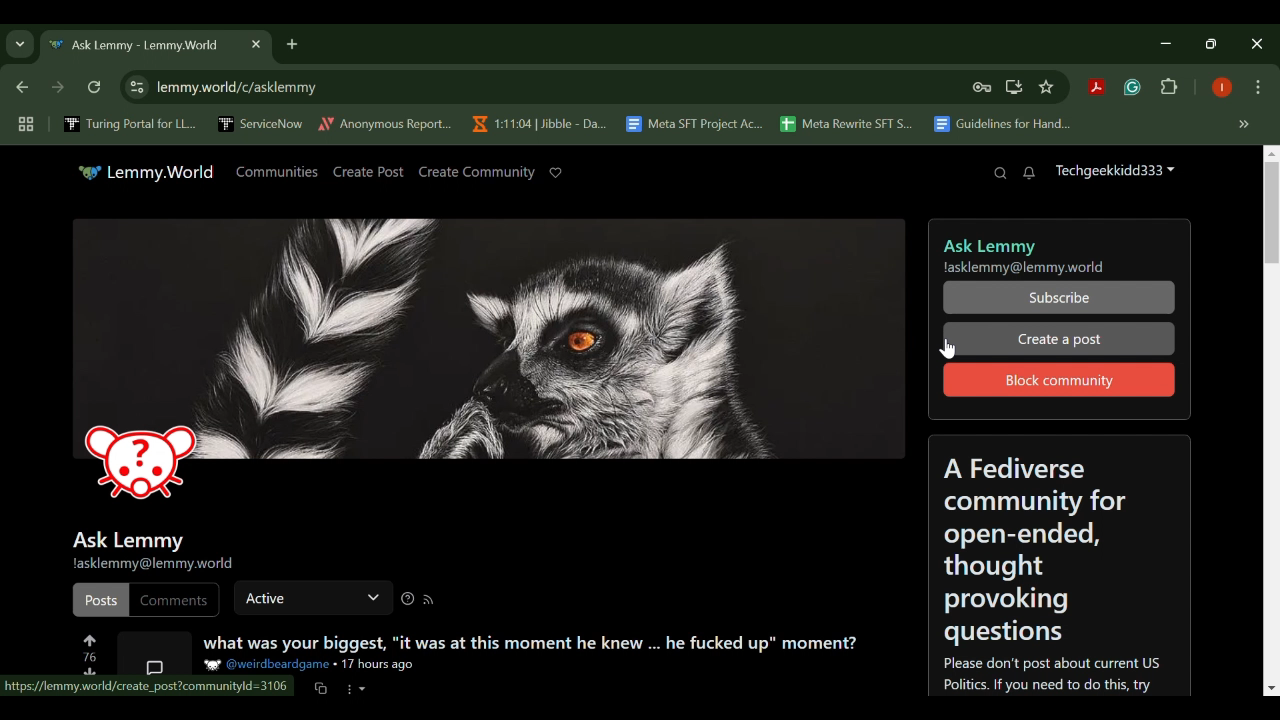 The image size is (1280, 720). Describe the element at coordinates (1000, 173) in the screenshot. I see `Search ` at that location.